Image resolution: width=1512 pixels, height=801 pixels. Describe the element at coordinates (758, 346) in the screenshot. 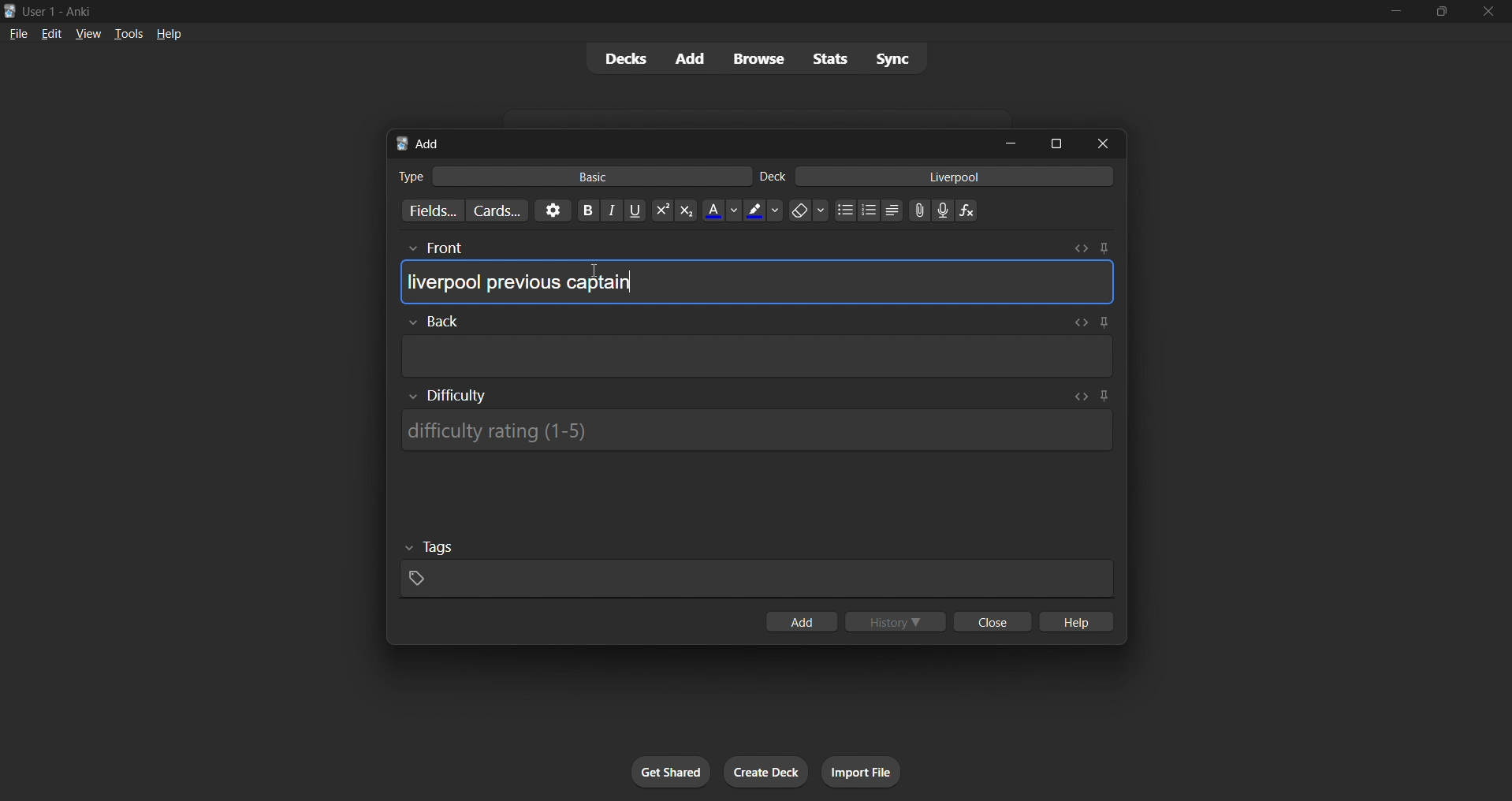

I see `card back input box` at that location.